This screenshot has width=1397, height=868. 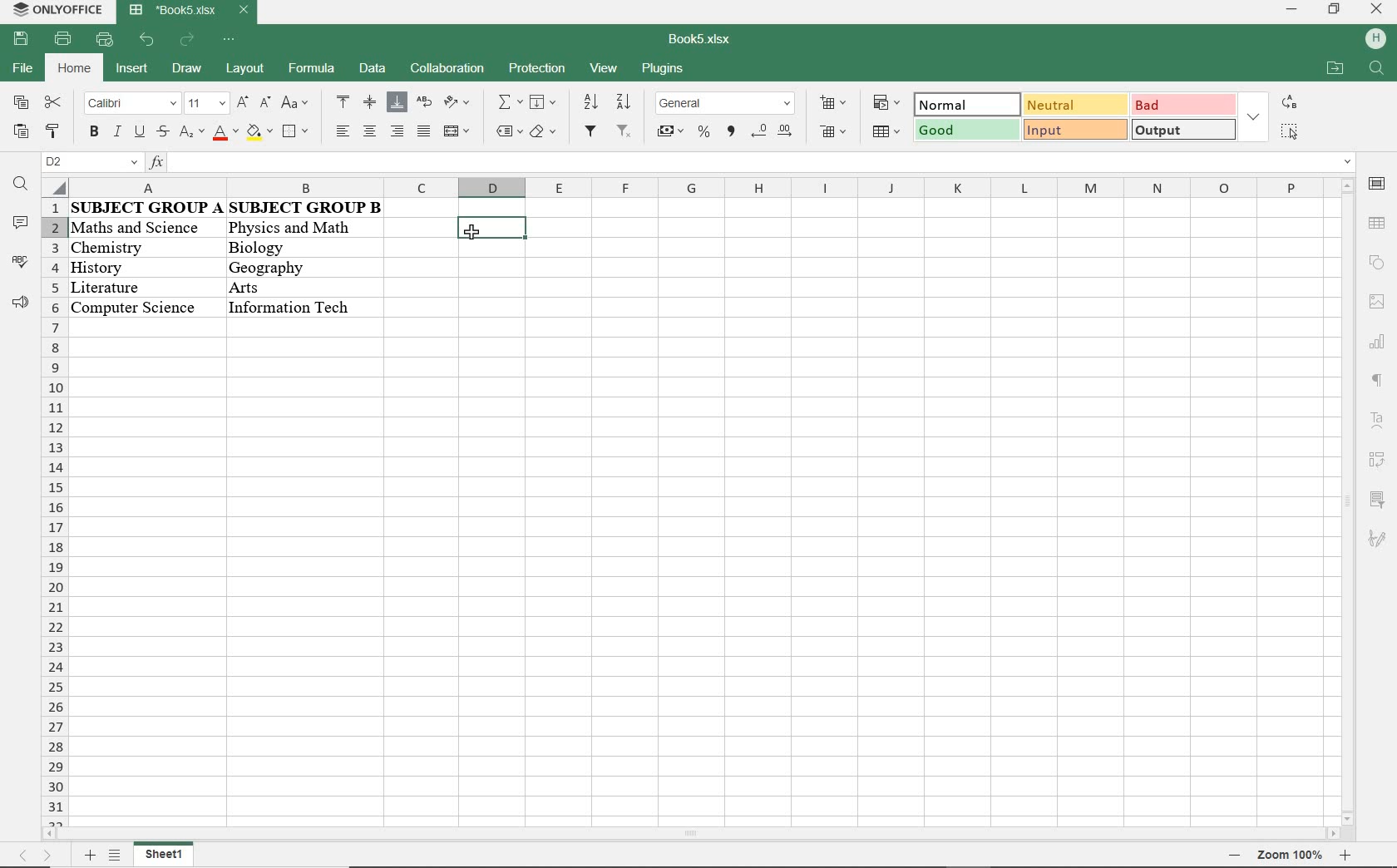 I want to click on cut, so click(x=53, y=101).